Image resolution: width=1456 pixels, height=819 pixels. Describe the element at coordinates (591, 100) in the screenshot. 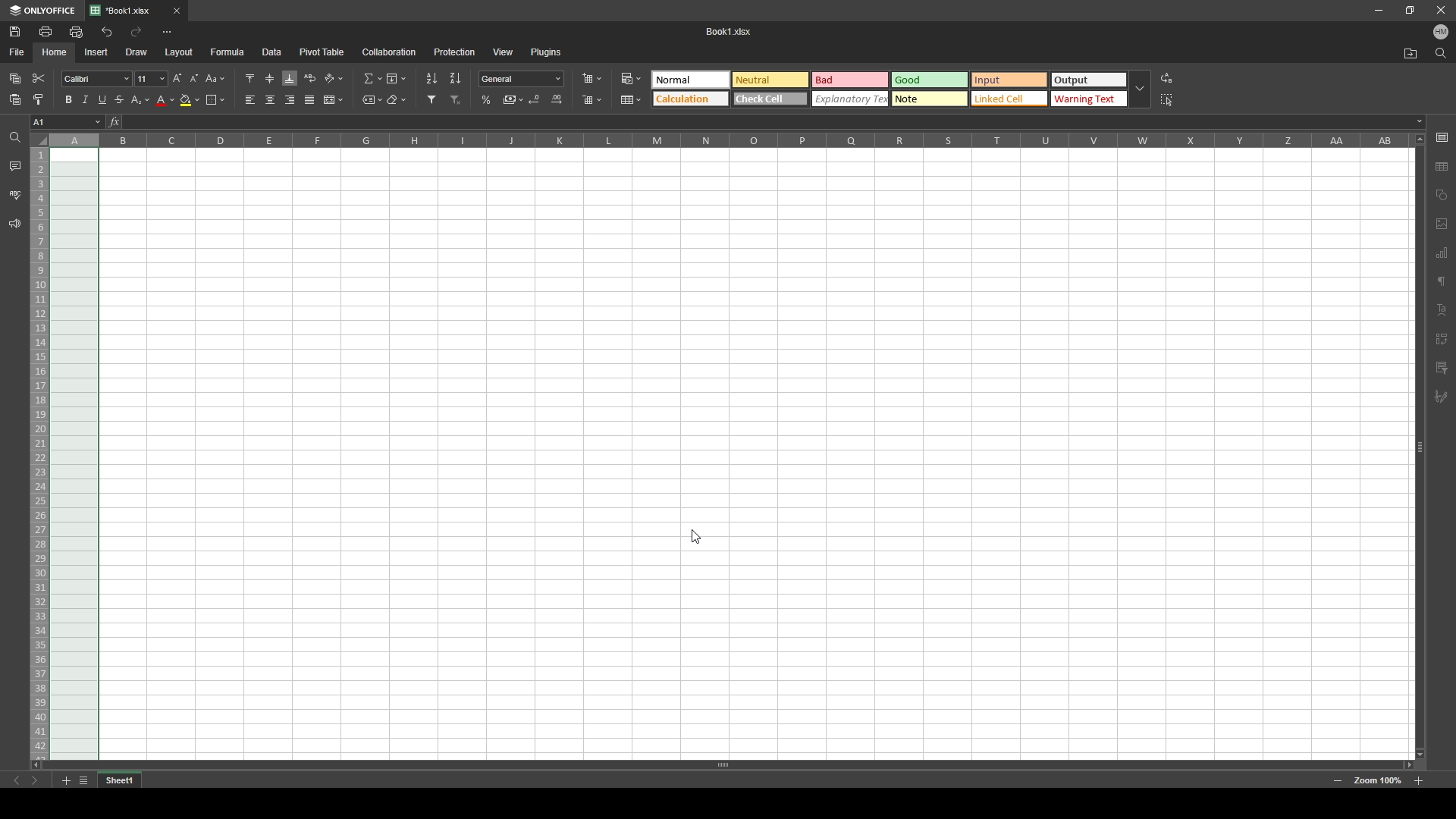

I see `delete cells` at that location.